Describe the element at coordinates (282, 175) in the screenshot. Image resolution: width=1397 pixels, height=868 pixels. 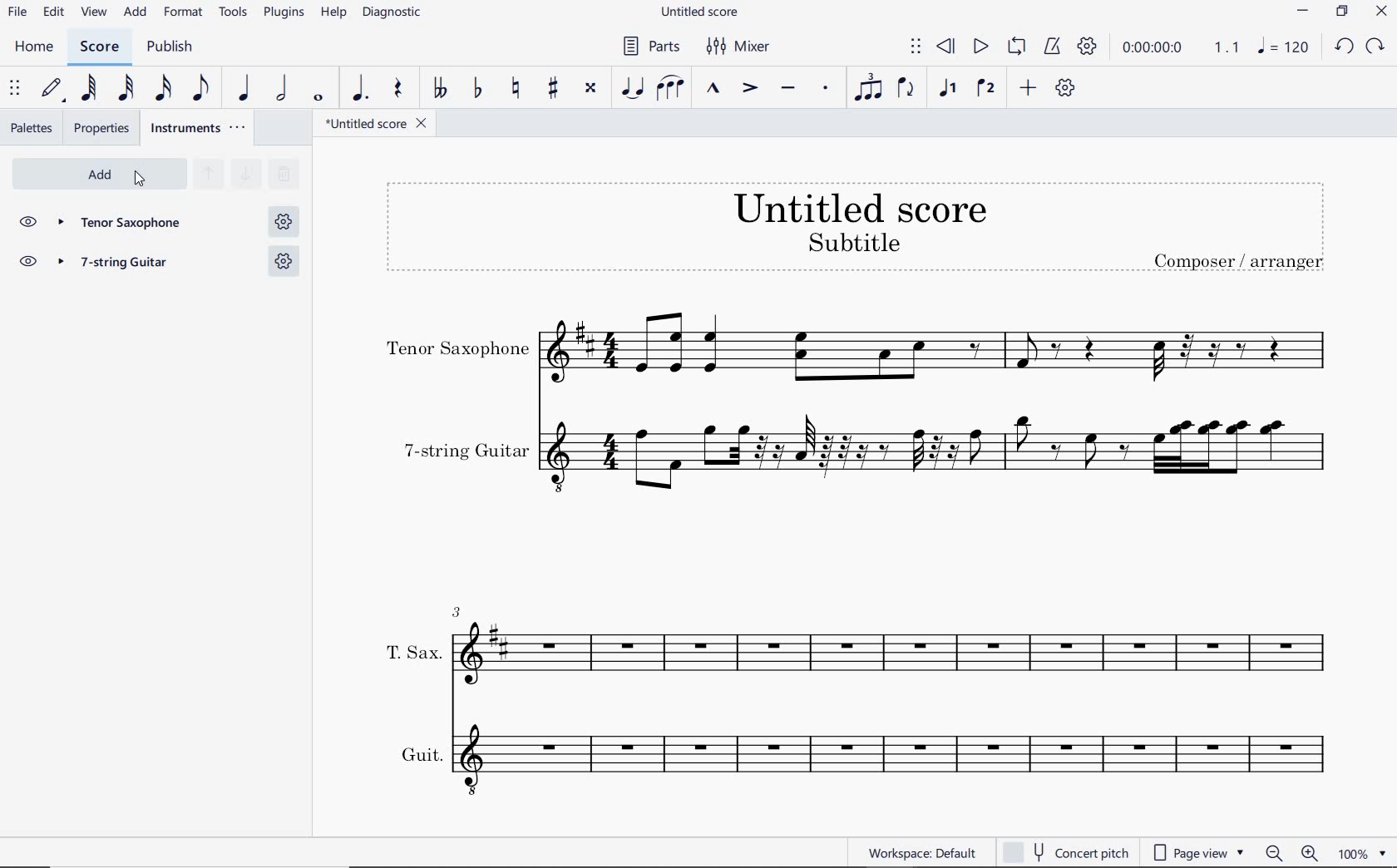
I see `SEARCH PALETTES` at that location.